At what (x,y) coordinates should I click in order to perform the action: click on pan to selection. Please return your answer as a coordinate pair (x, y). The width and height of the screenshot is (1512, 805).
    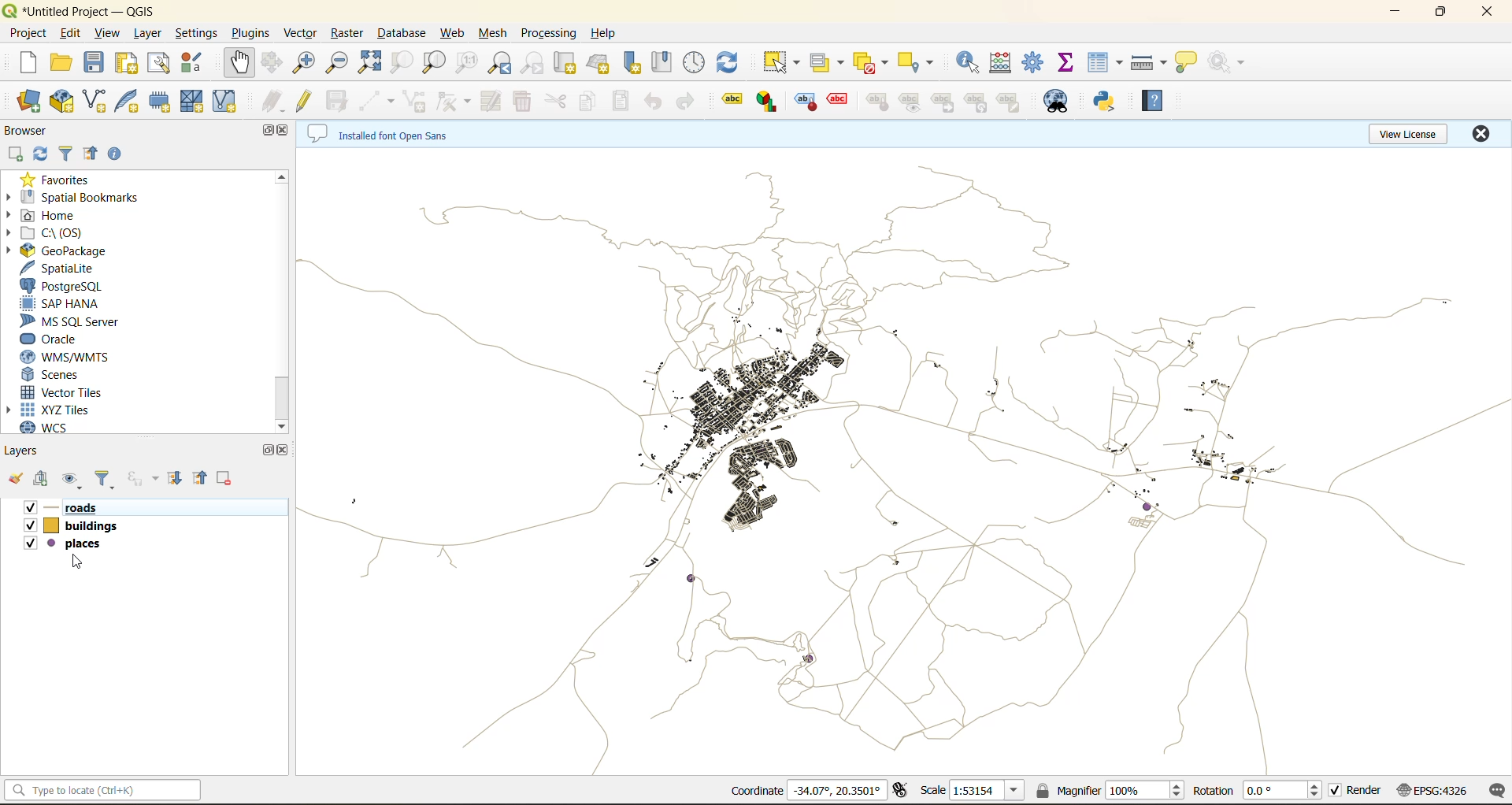
    Looking at the image, I should click on (273, 65).